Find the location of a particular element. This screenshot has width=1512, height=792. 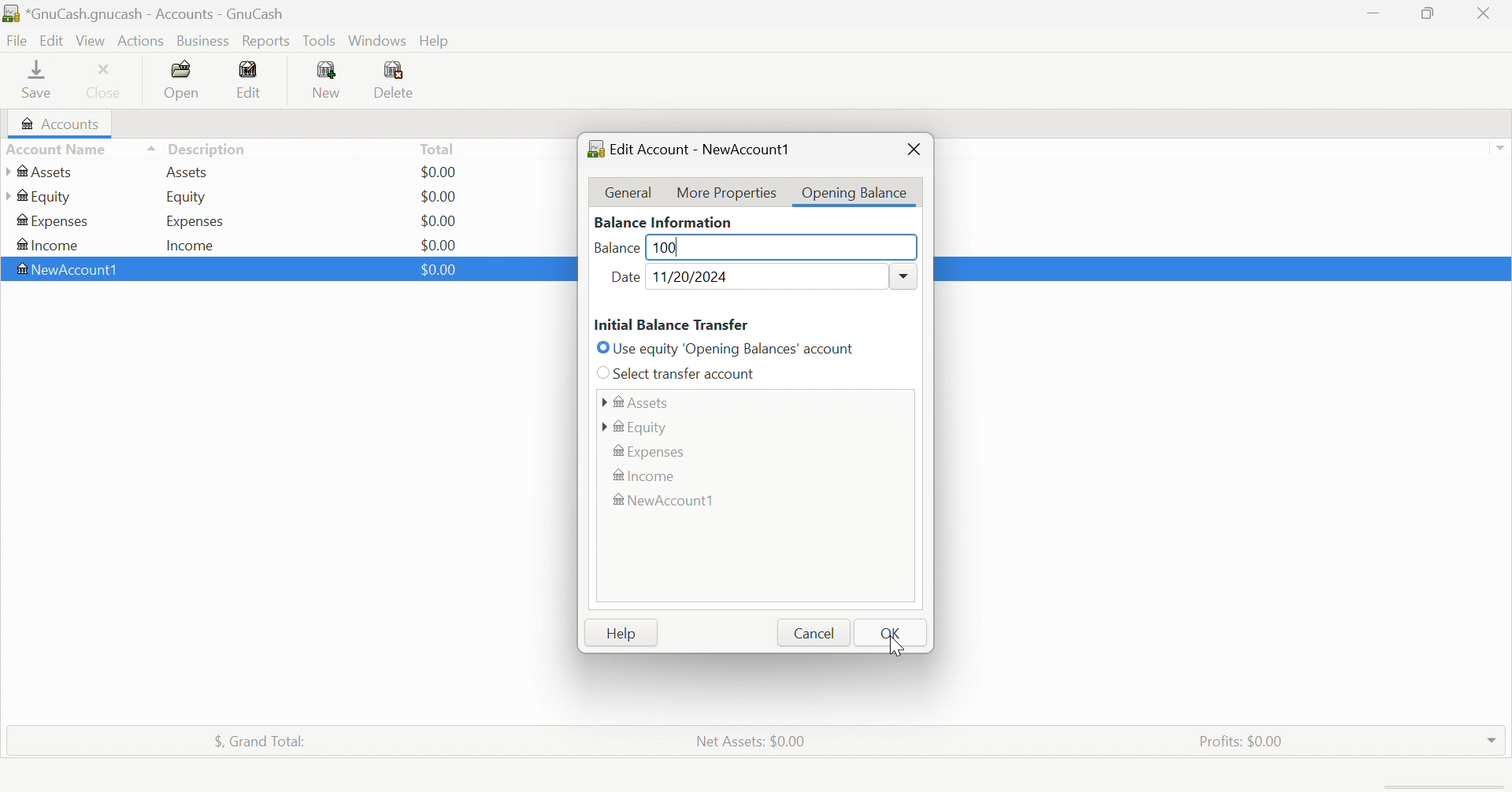

Edit is located at coordinates (51, 39).